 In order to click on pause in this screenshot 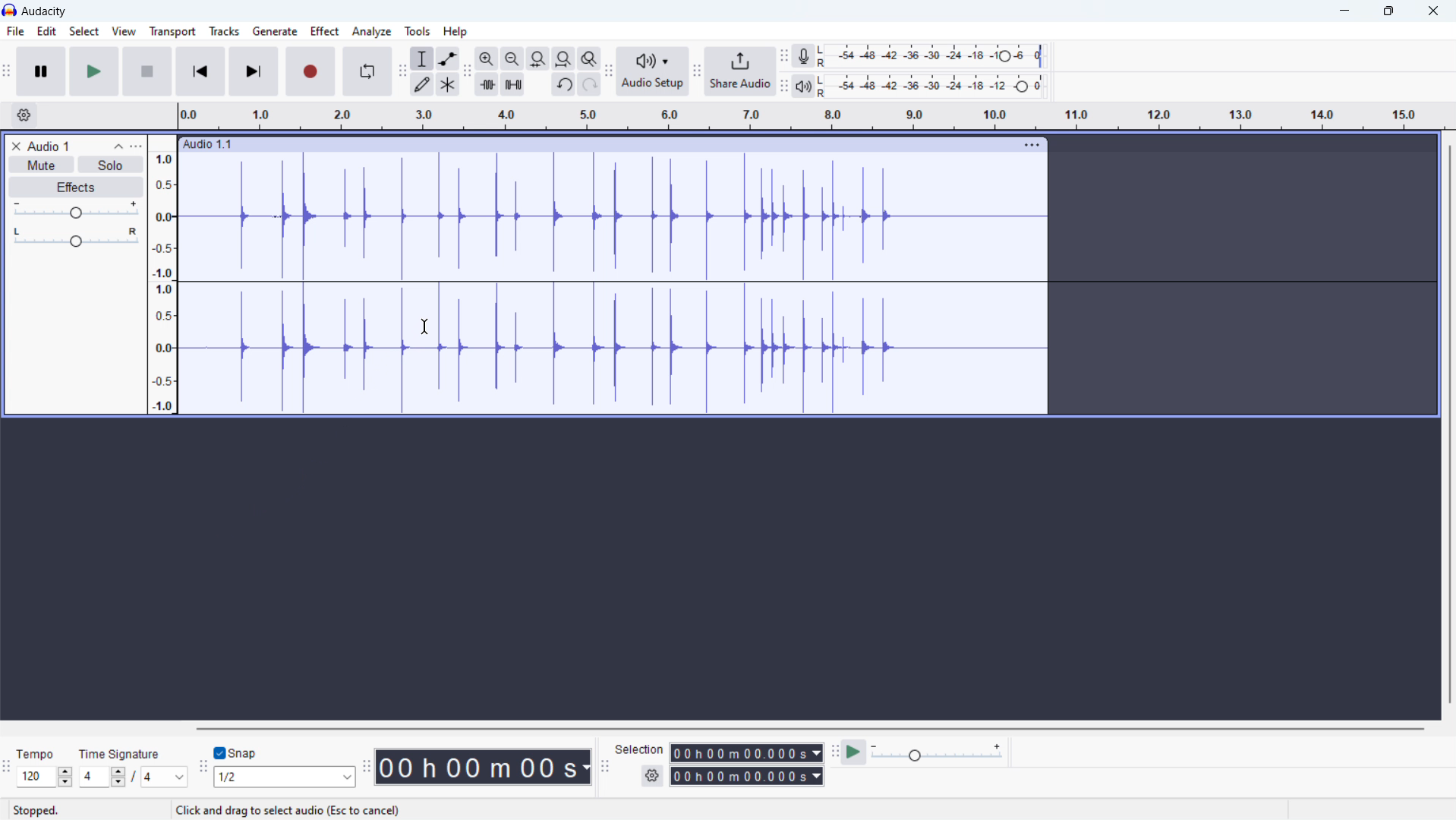, I will do `click(41, 72)`.